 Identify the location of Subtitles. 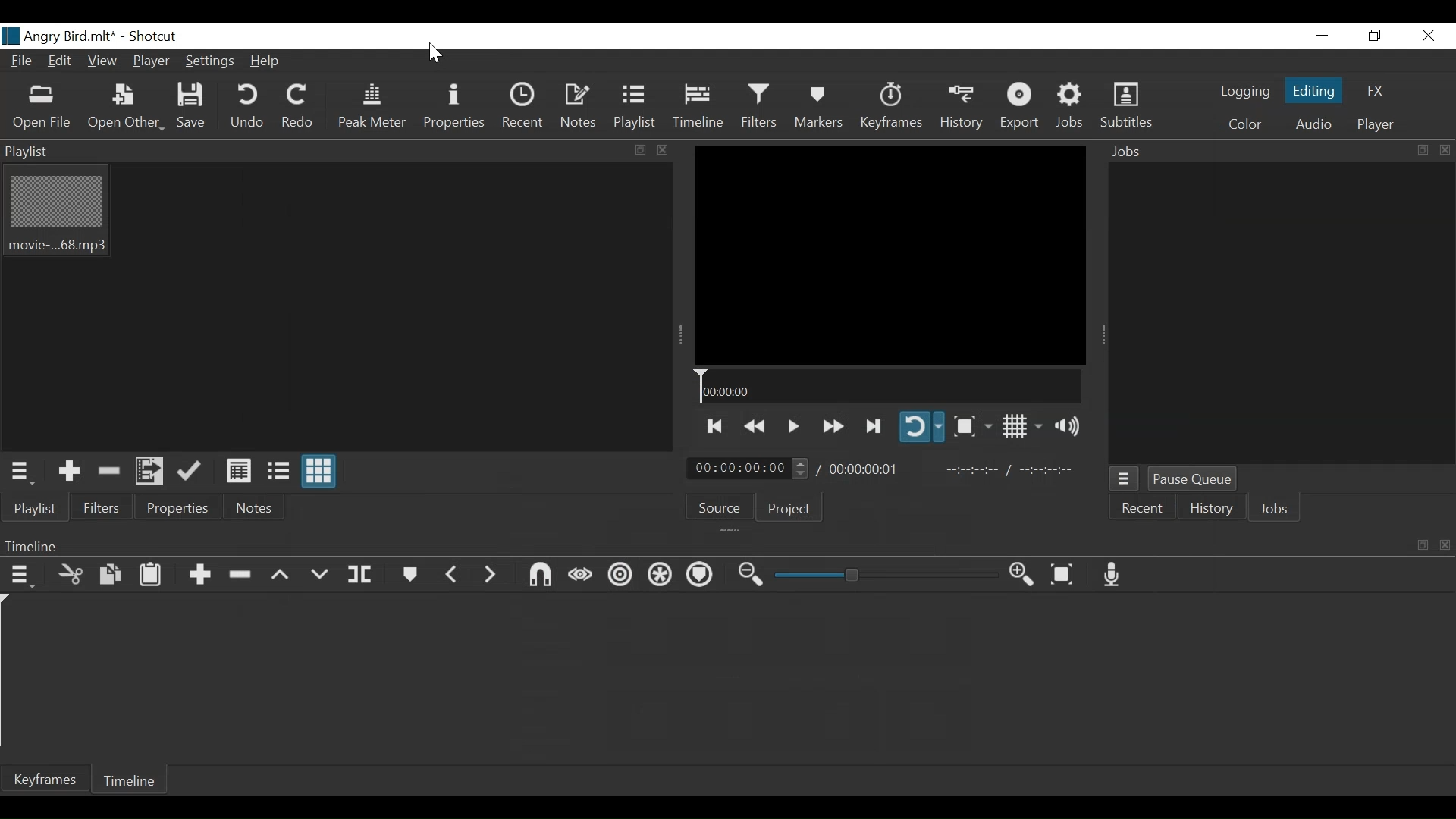
(1126, 106).